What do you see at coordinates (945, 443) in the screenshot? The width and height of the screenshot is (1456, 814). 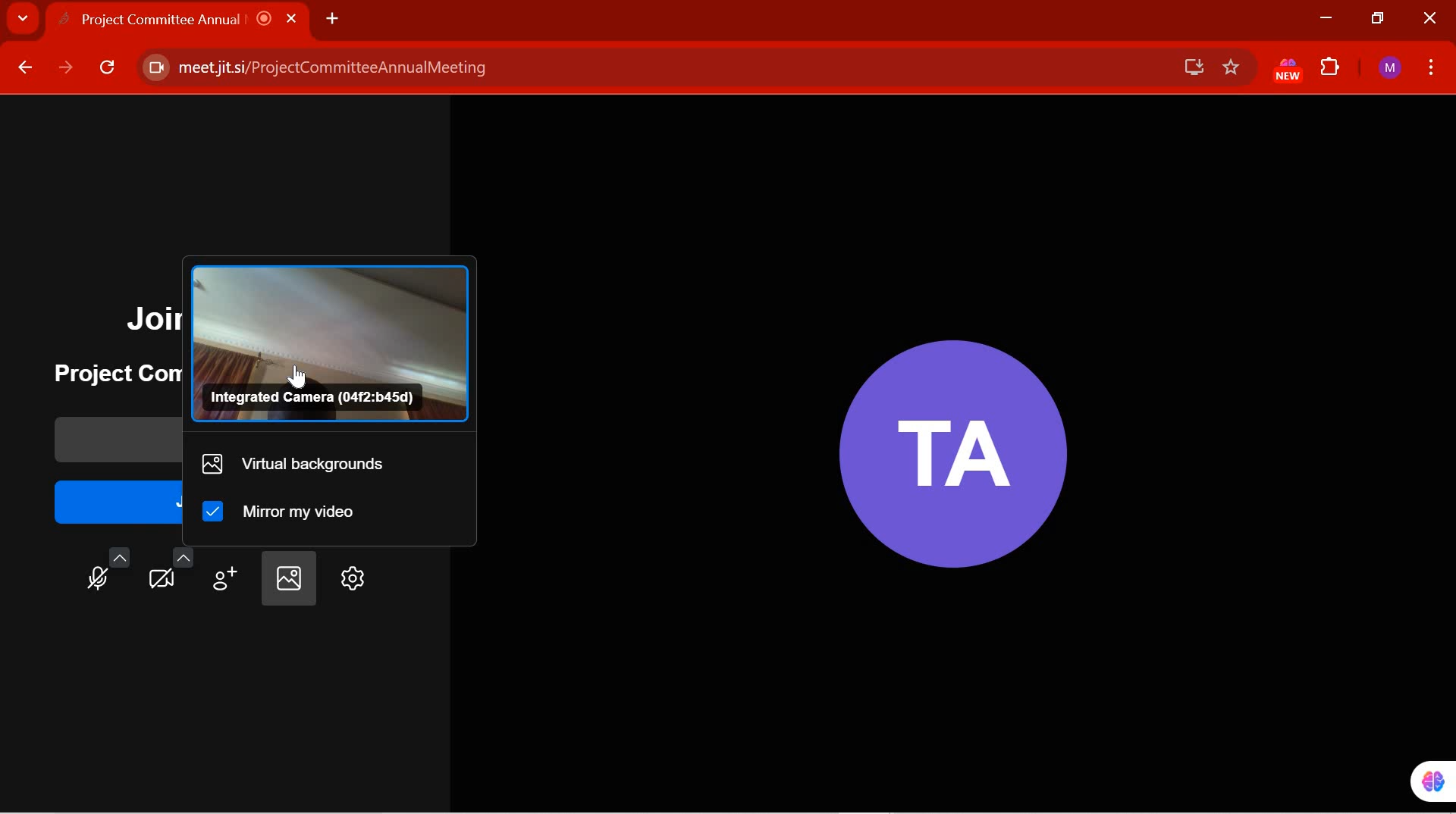 I see `Participant Initials` at bounding box center [945, 443].